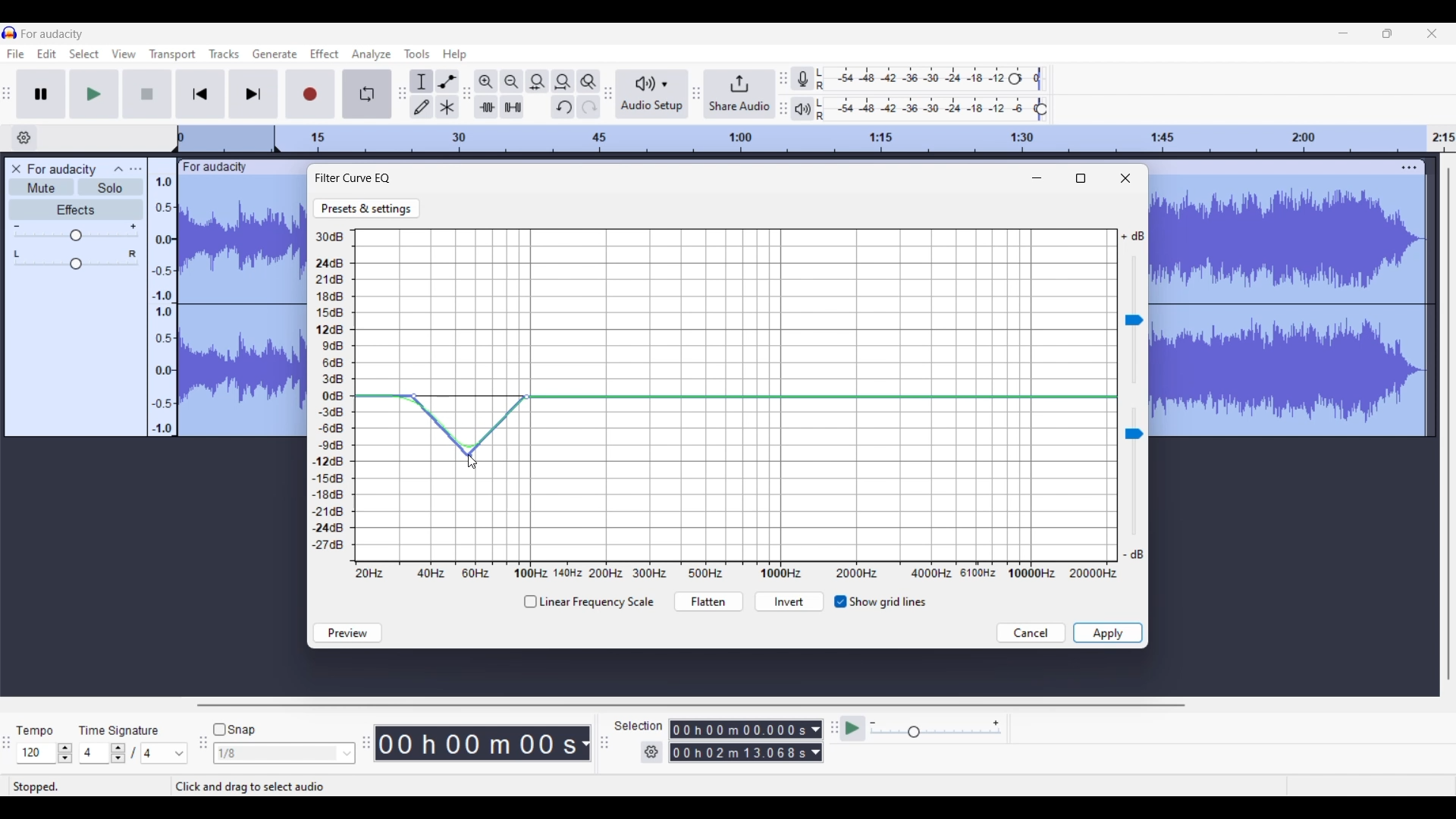 The width and height of the screenshot is (1456, 819). What do you see at coordinates (652, 94) in the screenshot?
I see `Audio setup` at bounding box center [652, 94].